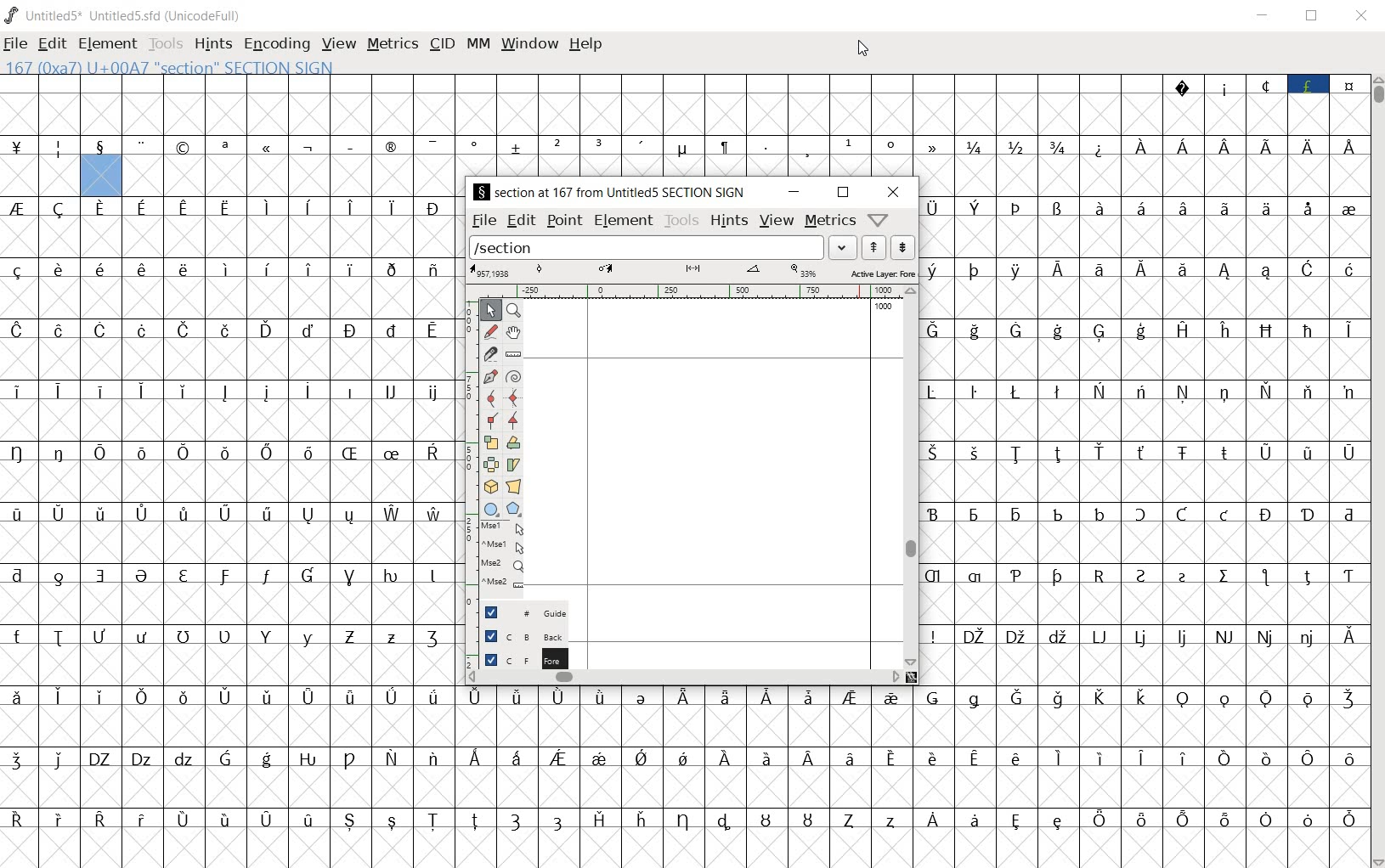  What do you see at coordinates (684, 697) in the screenshot?
I see `special letters` at bounding box center [684, 697].